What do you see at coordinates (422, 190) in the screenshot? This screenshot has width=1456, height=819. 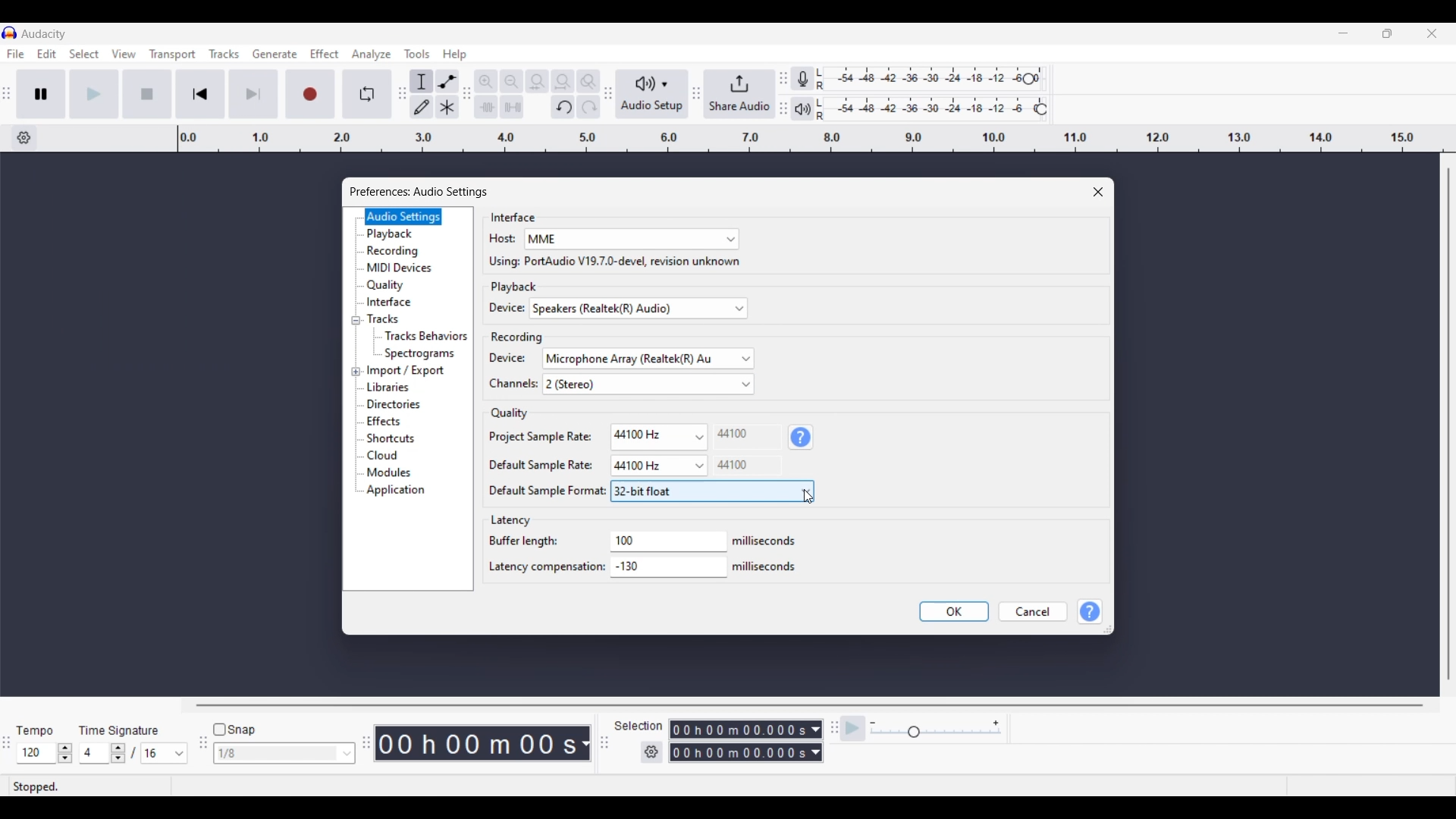 I see `[ll Preferences: Audio Settings` at bounding box center [422, 190].